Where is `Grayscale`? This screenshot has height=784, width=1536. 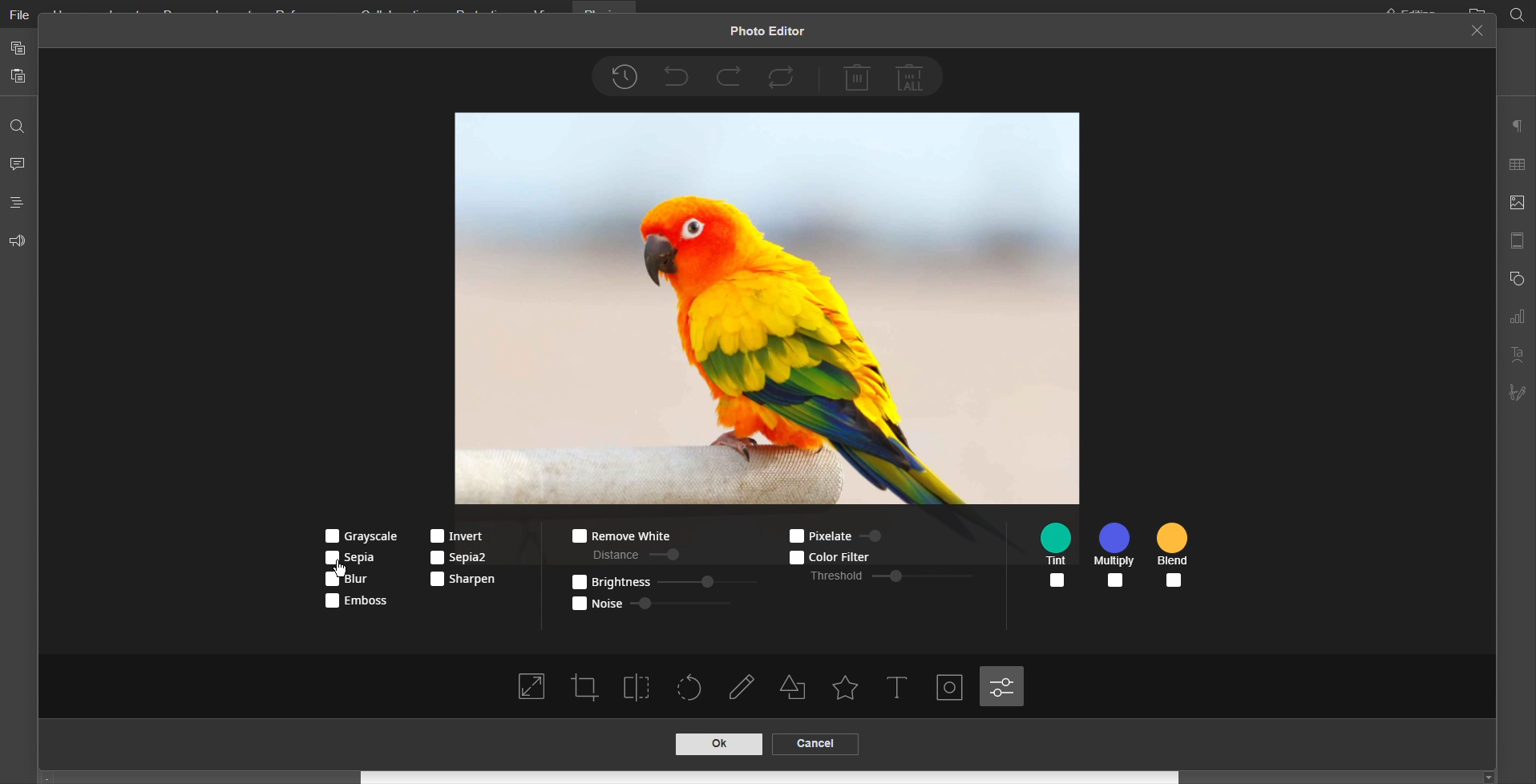
Grayscale is located at coordinates (357, 535).